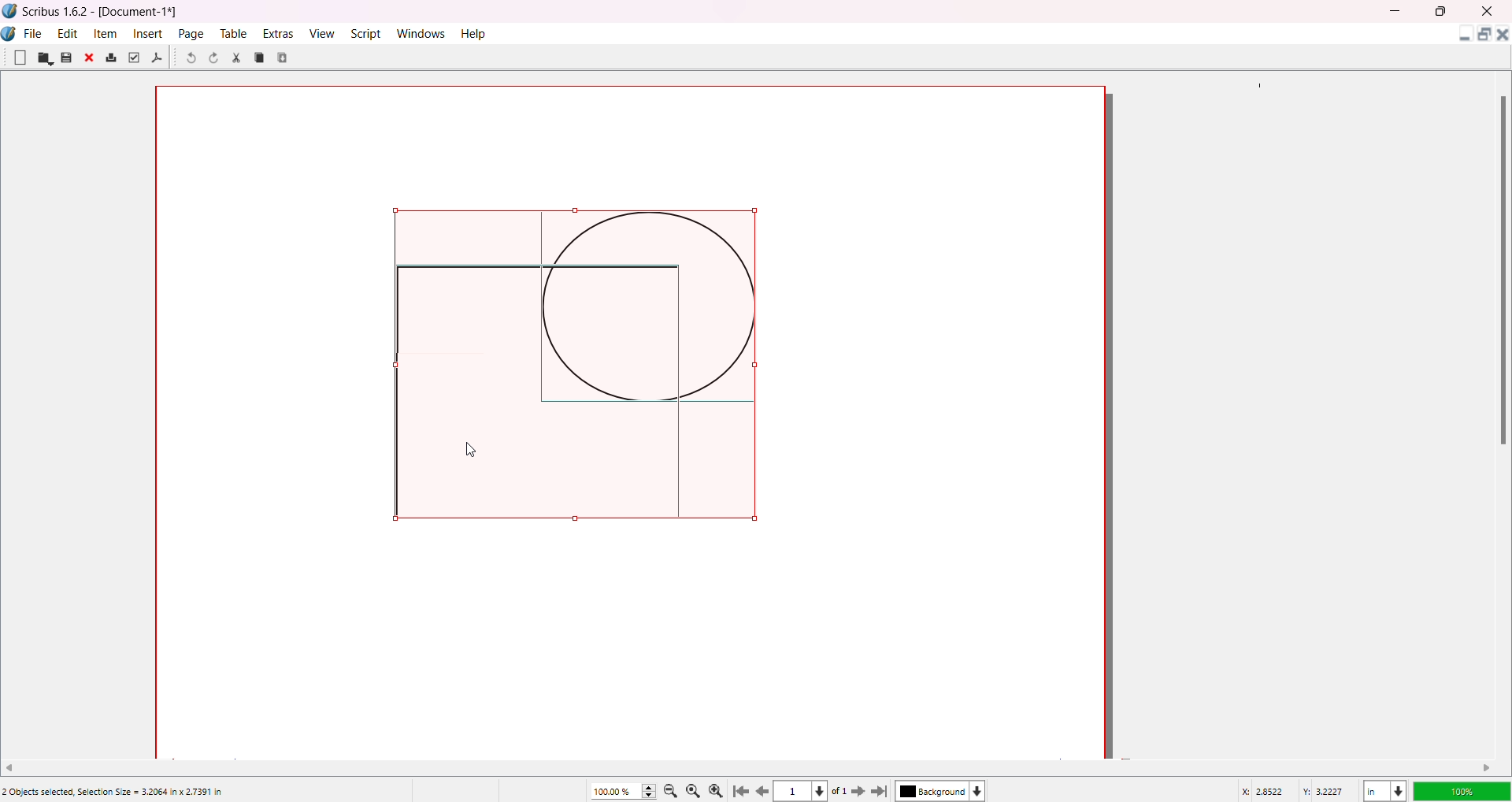 Image resolution: width=1512 pixels, height=802 pixels. I want to click on Undo, so click(190, 59).